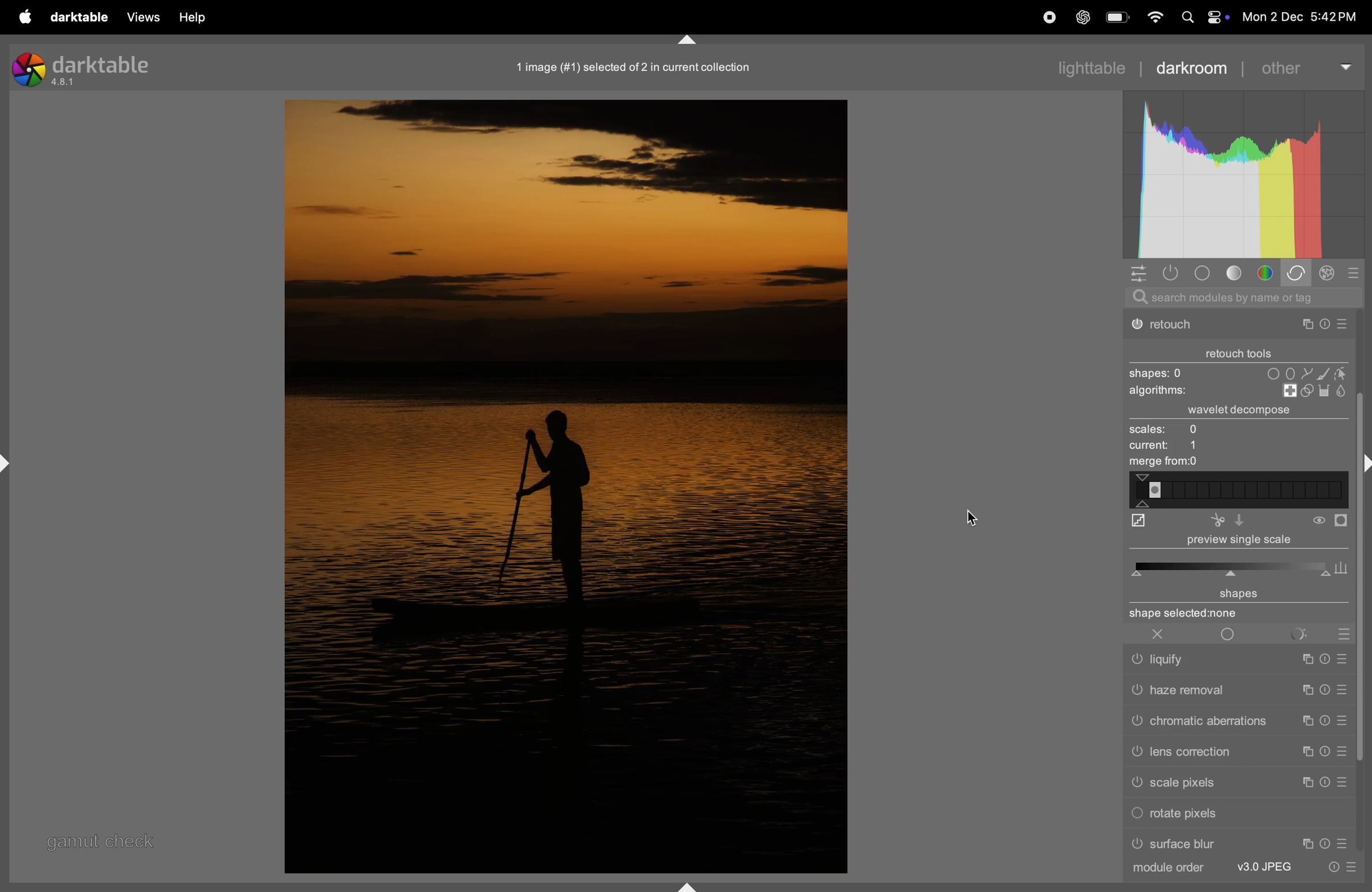 Image resolution: width=1372 pixels, height=892 pixels. I want to click on presets, so click(1352, 273).